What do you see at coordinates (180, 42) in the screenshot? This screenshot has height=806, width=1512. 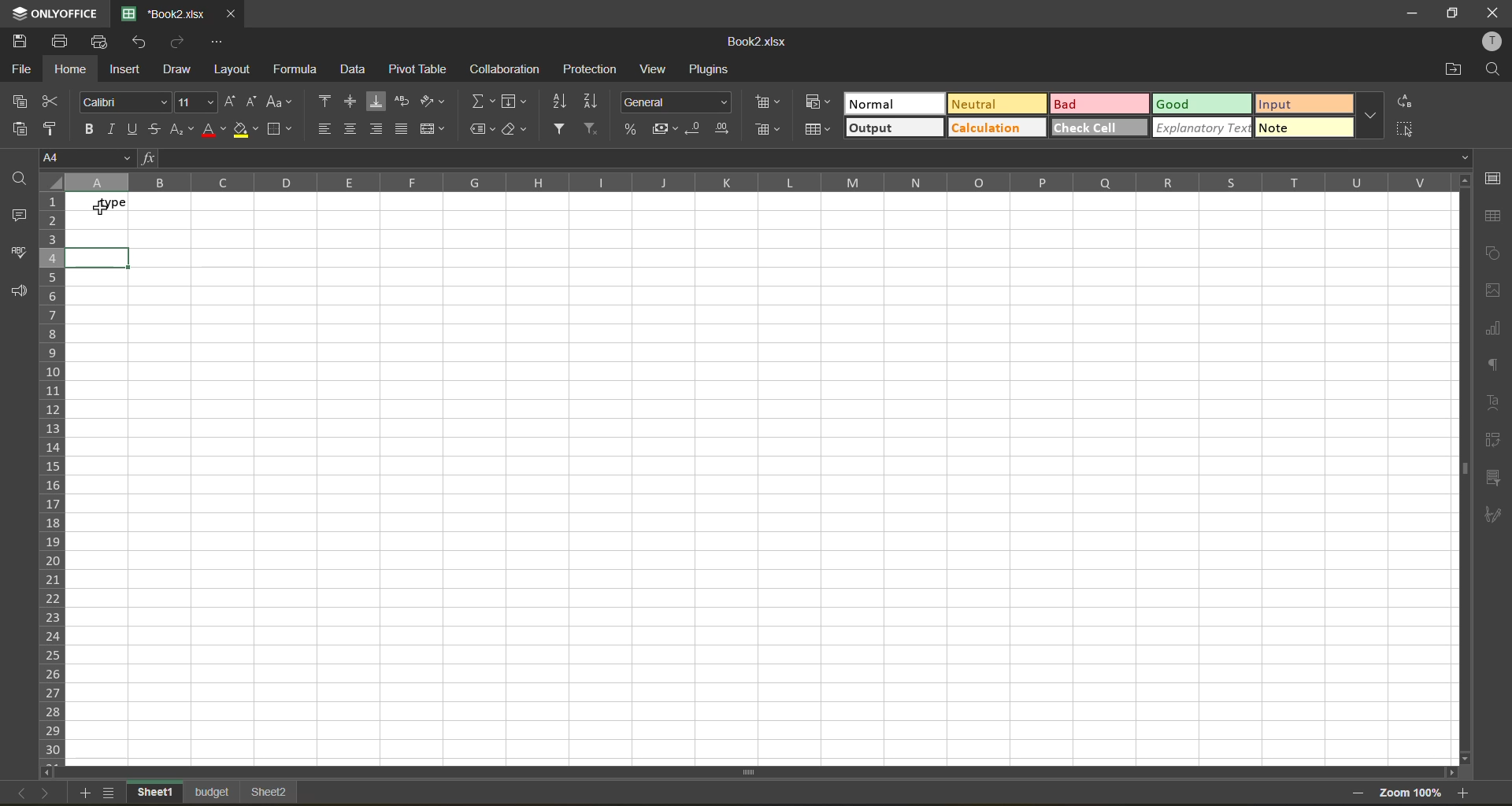 I see `redo` at bounding box center [180, 42].